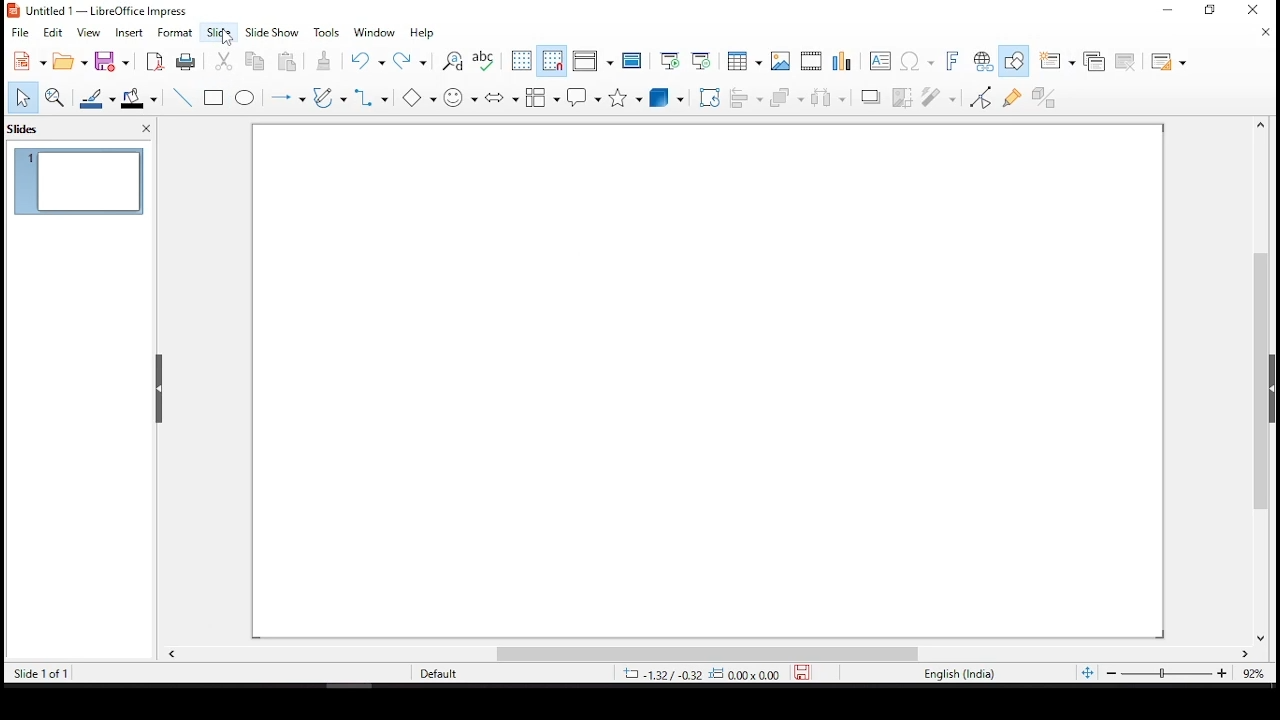 The height and width of the screenshot is (720, 1280). What do you see at coordinates (128, 33) in the screenshot?
I see `insert` at bounding box center [128, 33].